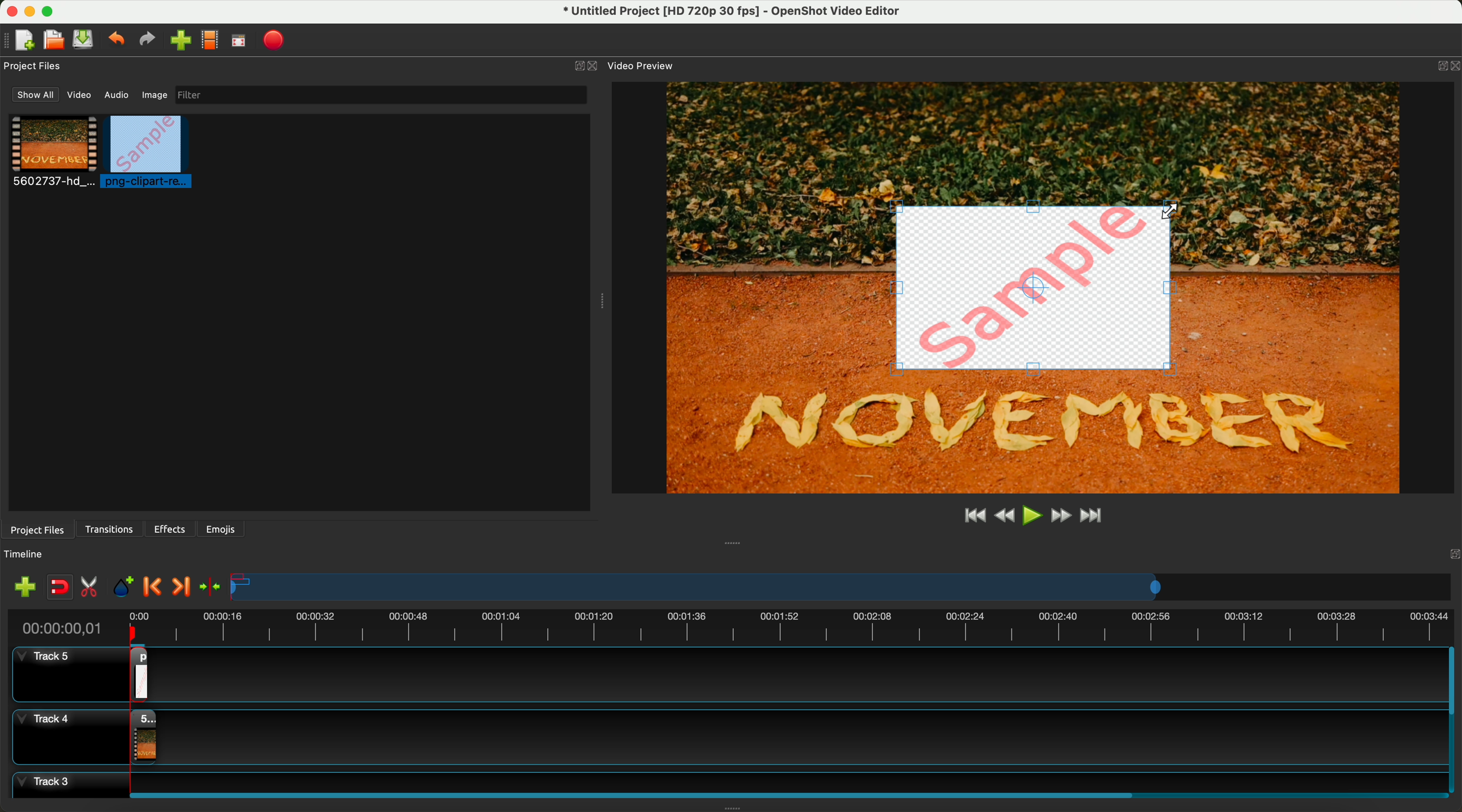 The width and height of the screenshot is (1462, 812). I want to click on scroll bar, so click(1453, 720).